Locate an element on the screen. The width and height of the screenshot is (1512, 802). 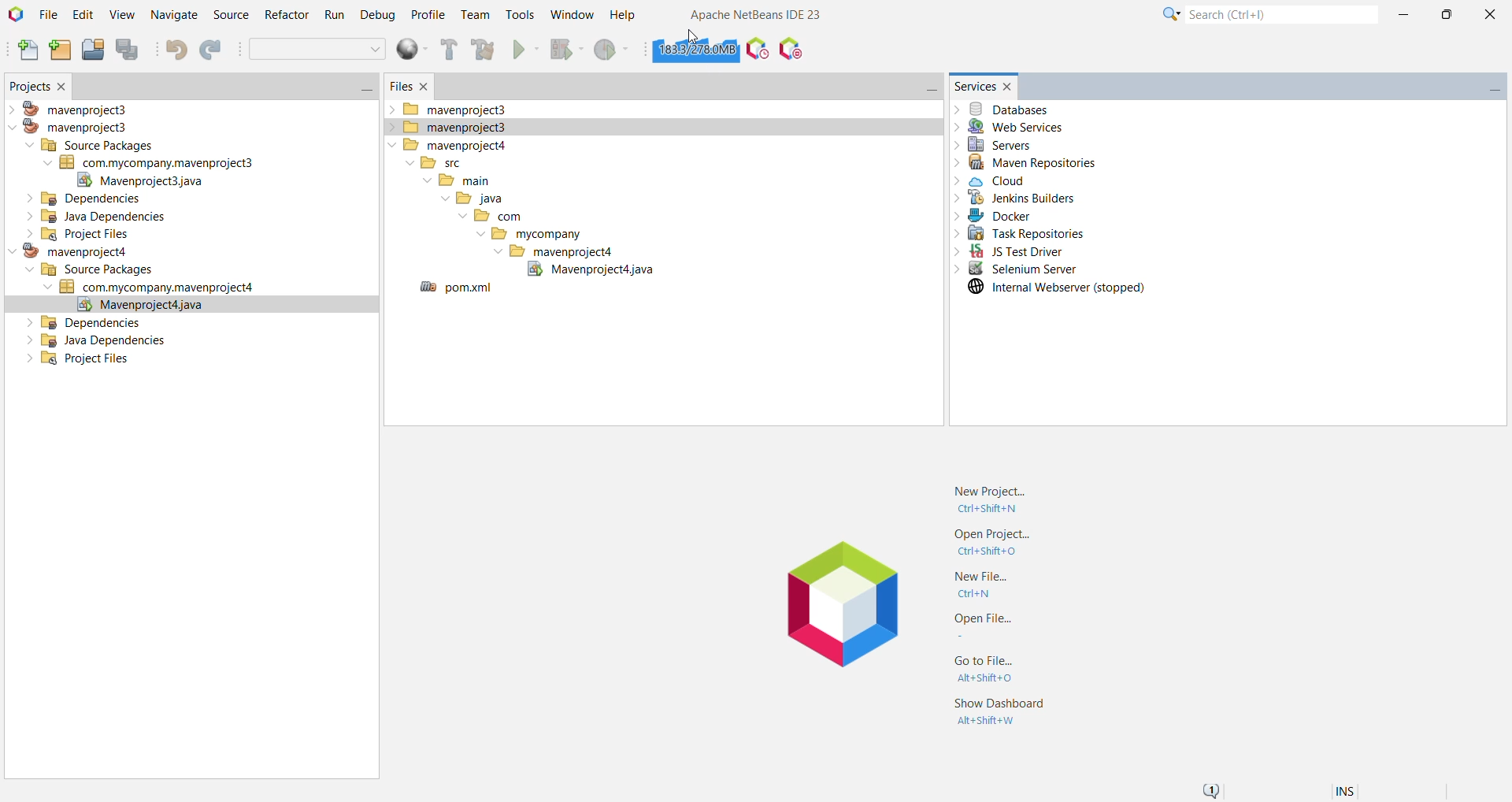
Open File is located at coordinates (983, 624).